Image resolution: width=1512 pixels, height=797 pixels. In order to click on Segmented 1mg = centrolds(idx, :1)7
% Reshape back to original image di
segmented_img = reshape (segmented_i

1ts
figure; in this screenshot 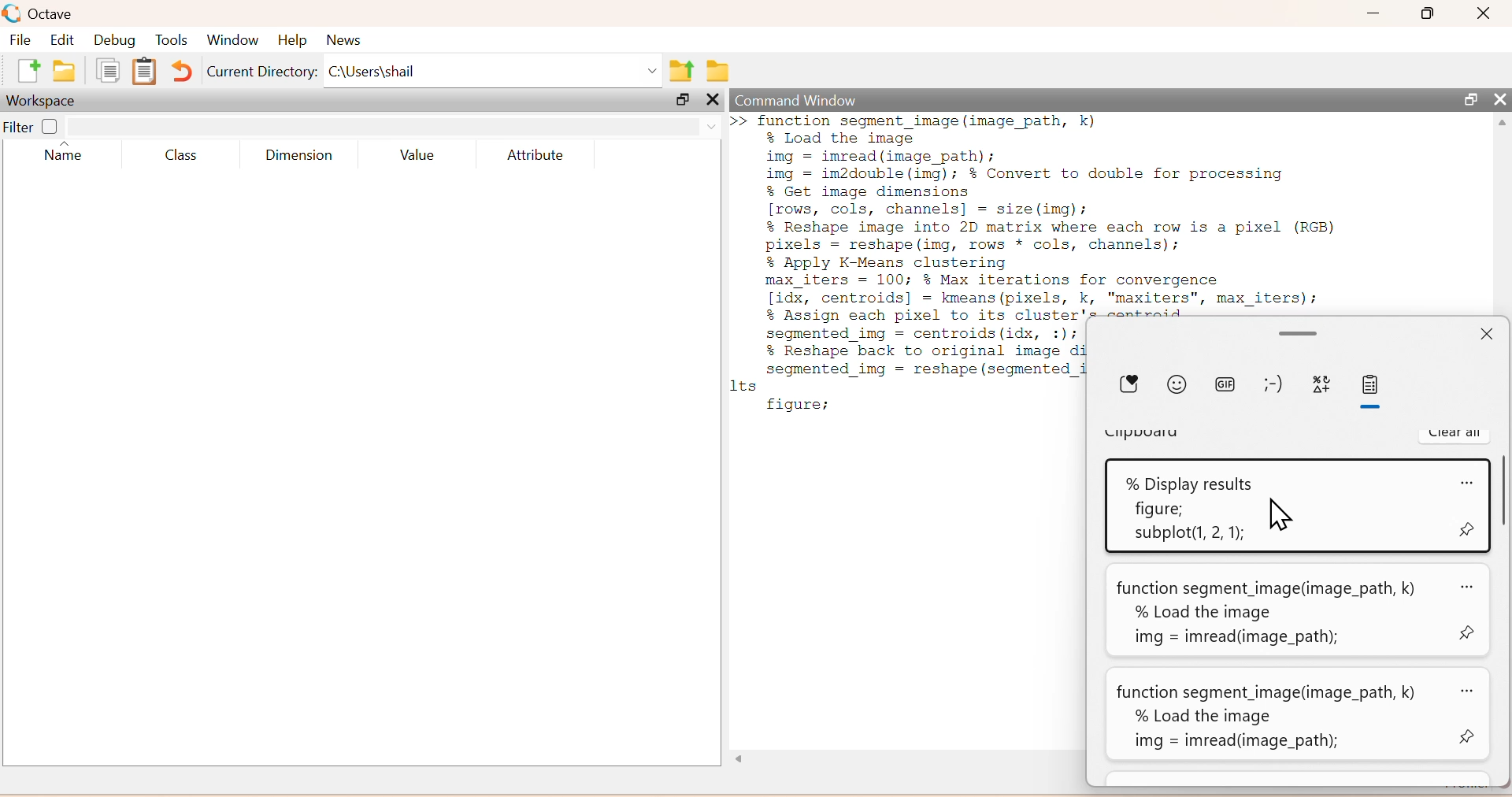, I will do `click(909, 369)`.